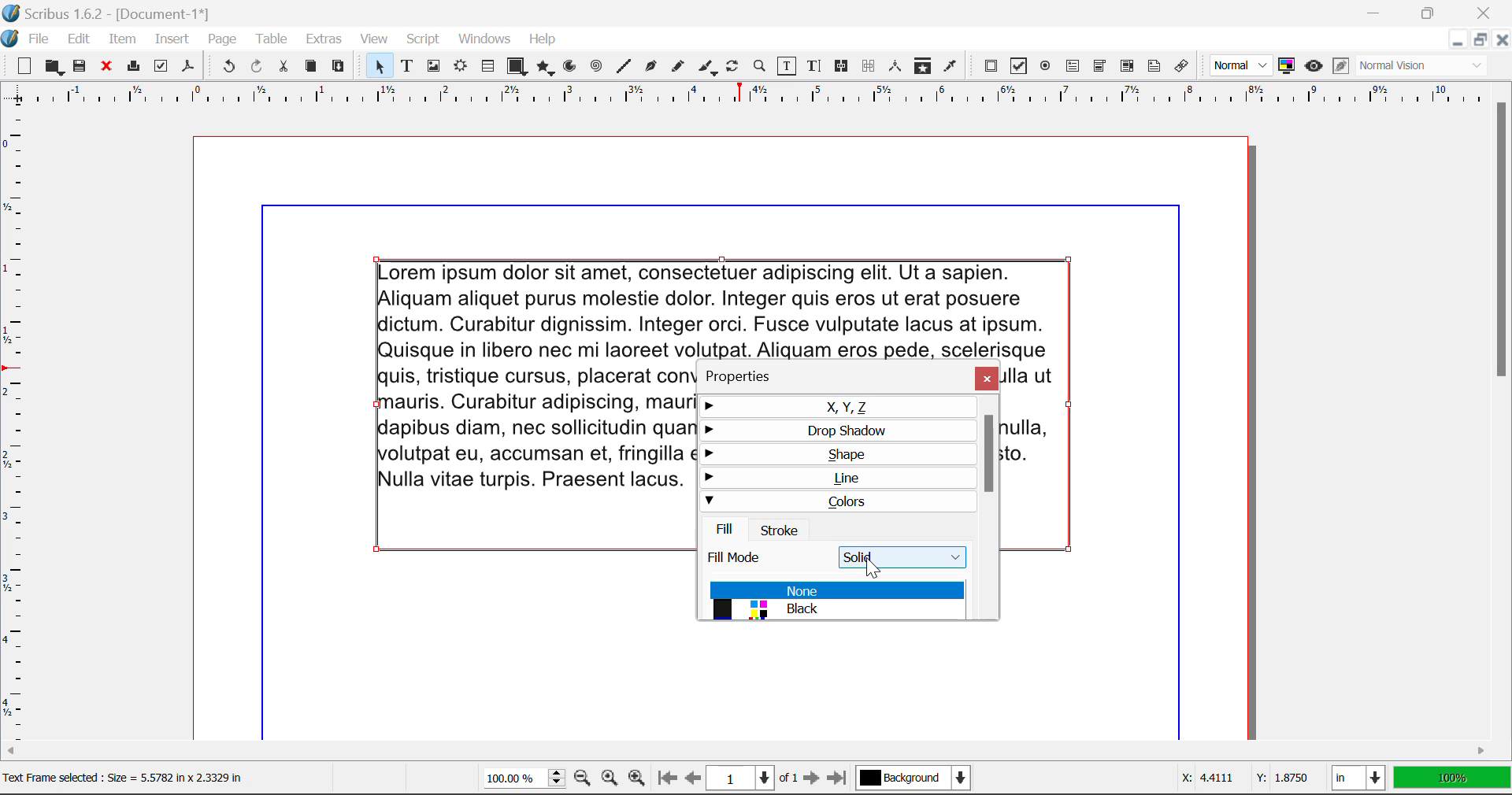 Image resolution: width=1512 pixels, height=795 pixels. What do you see at coordinates (679, 70) in the screenshot?
I see `Freehand` at bounding box center [679, 70].